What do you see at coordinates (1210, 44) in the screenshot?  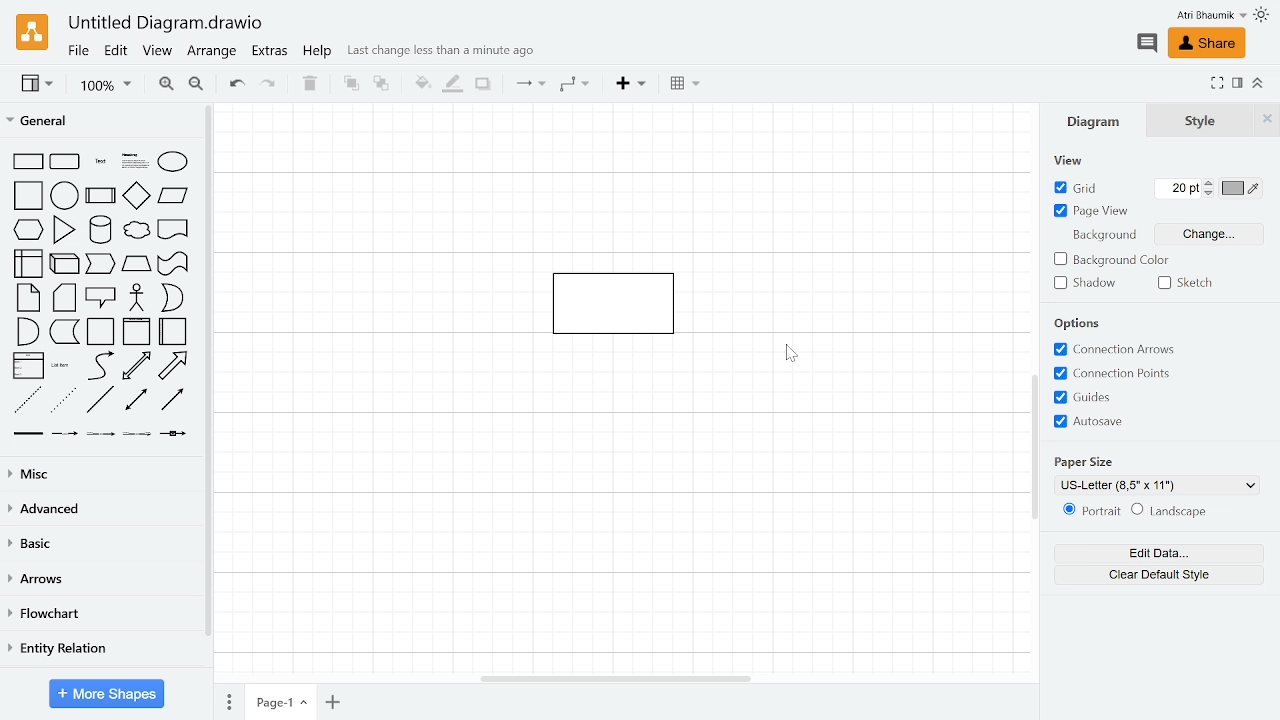 I see `Share` at bounding box center [1210, 44].